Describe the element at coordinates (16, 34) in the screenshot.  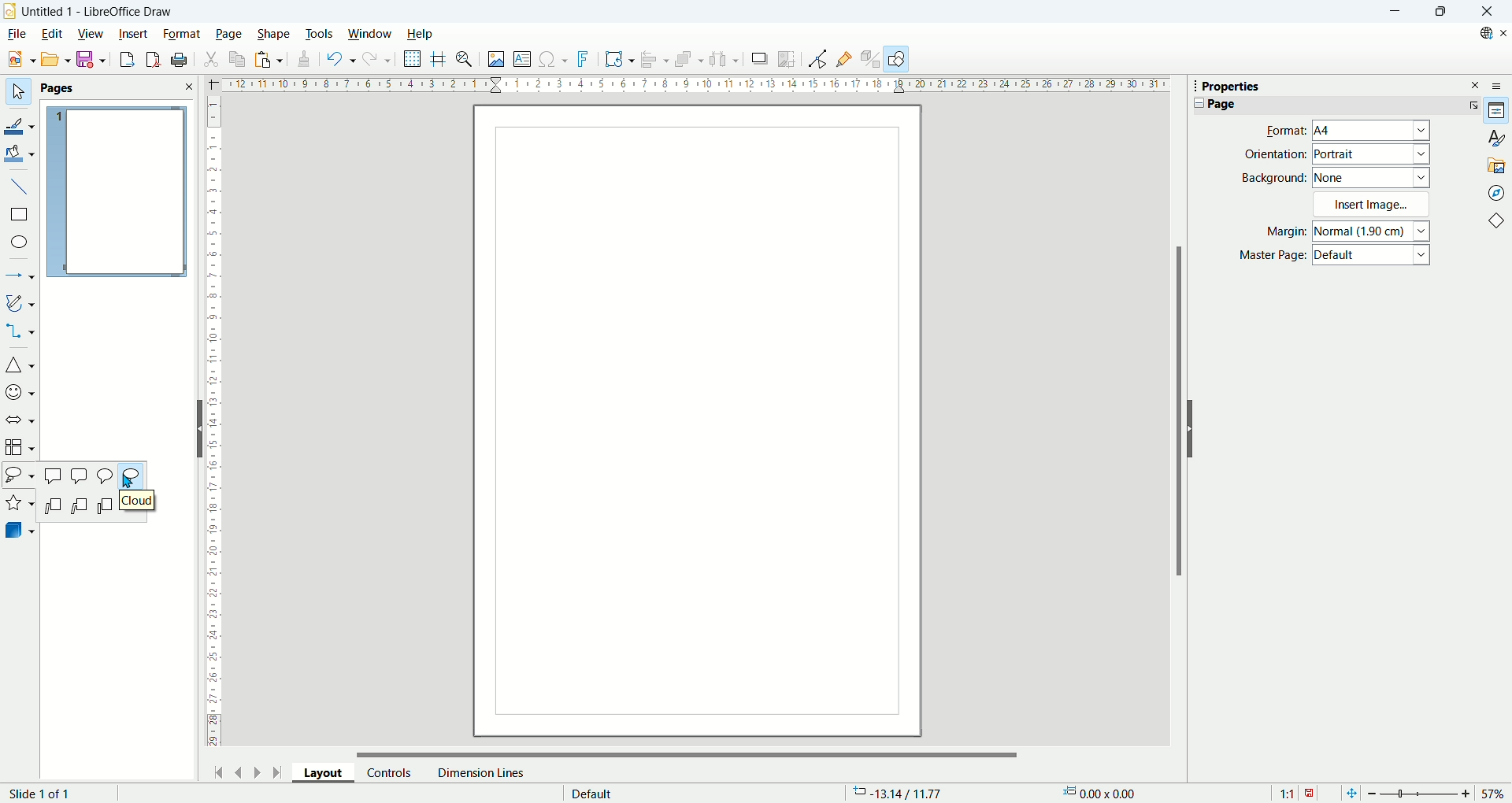
I see `file` at that location.